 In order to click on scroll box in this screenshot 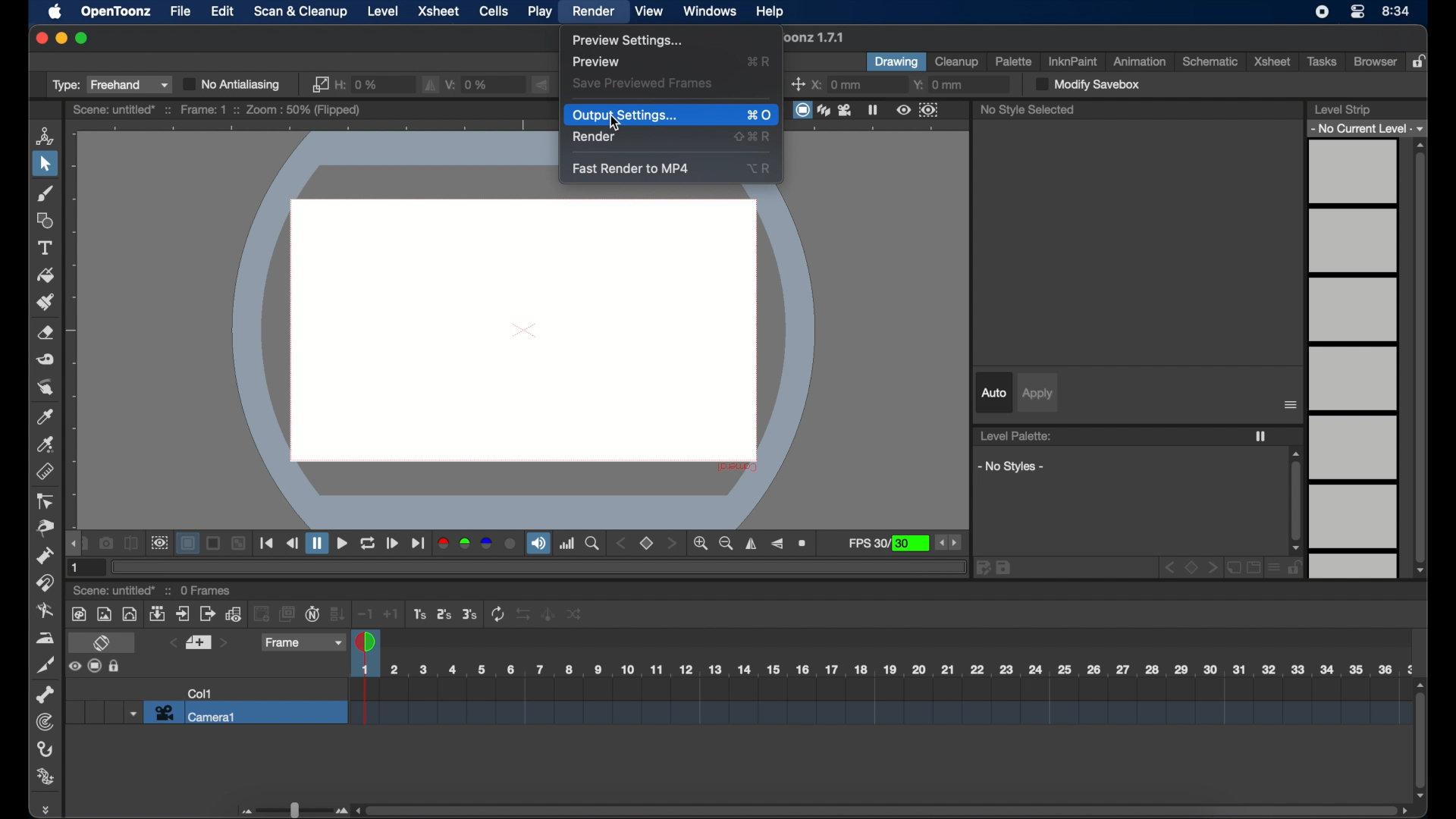, I will do `click(1420, 358)`.